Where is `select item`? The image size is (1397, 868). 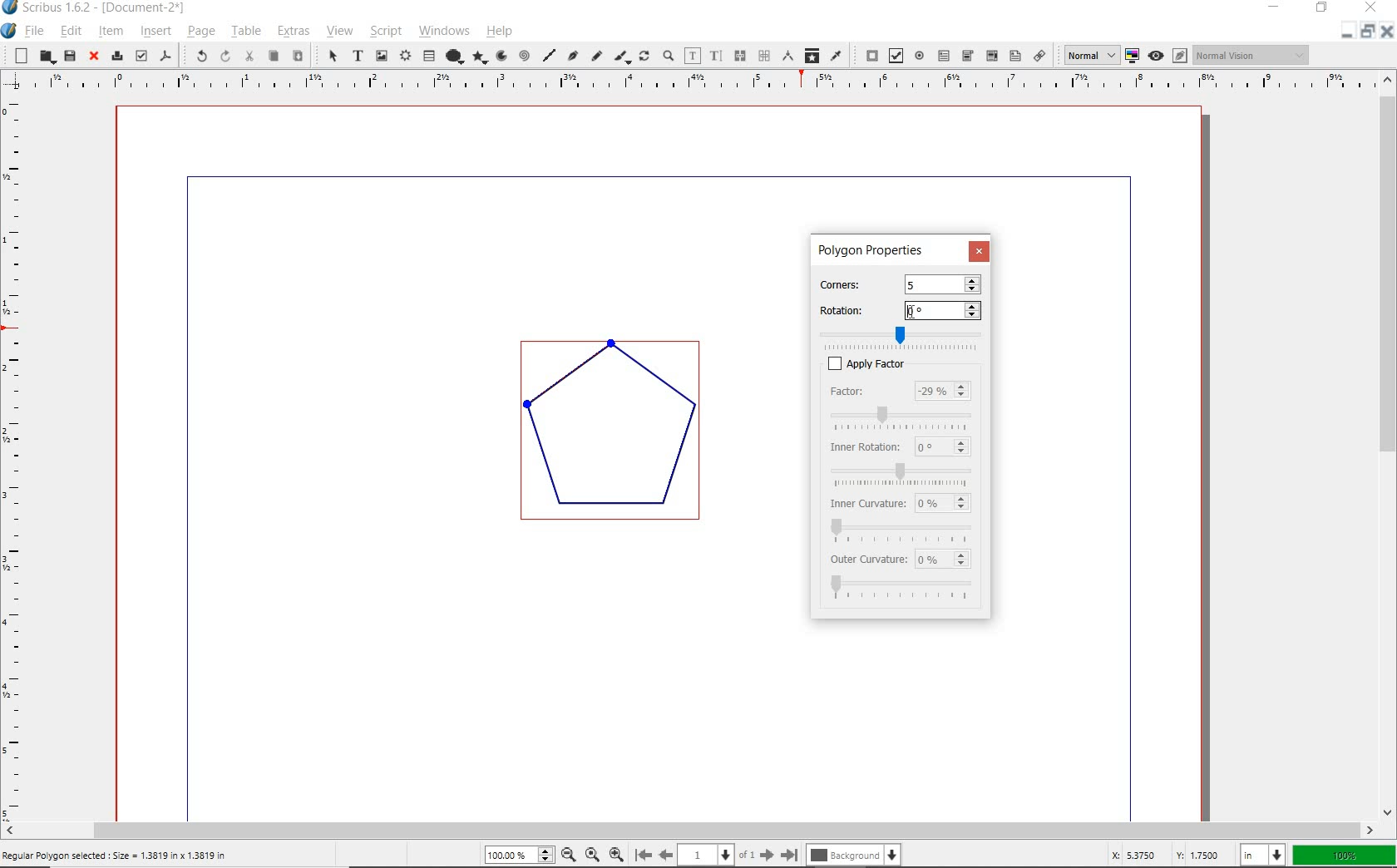 select item is located at coordinates (330, 56).